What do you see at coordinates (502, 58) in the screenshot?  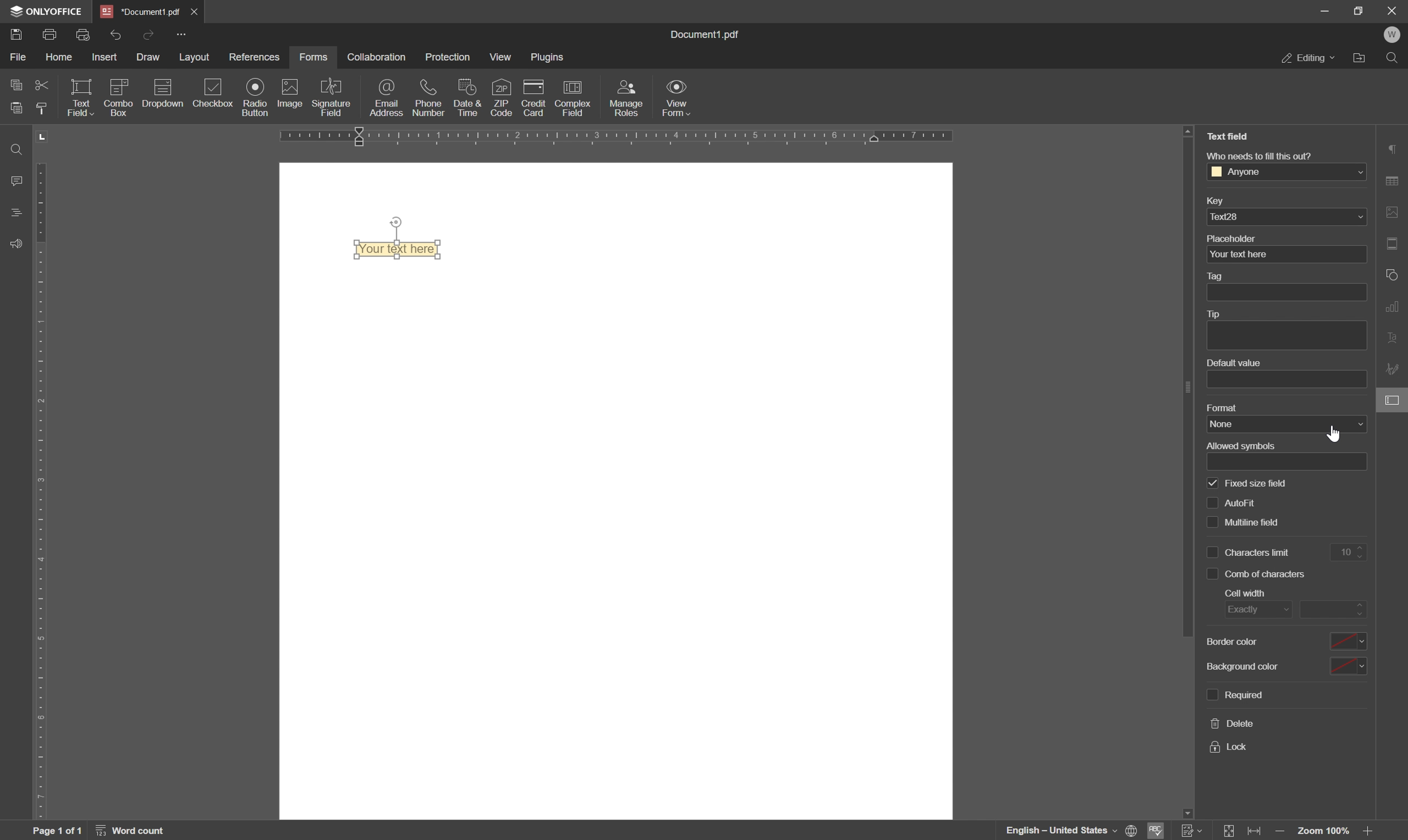 I see `view` at bounding box center [502, 58].